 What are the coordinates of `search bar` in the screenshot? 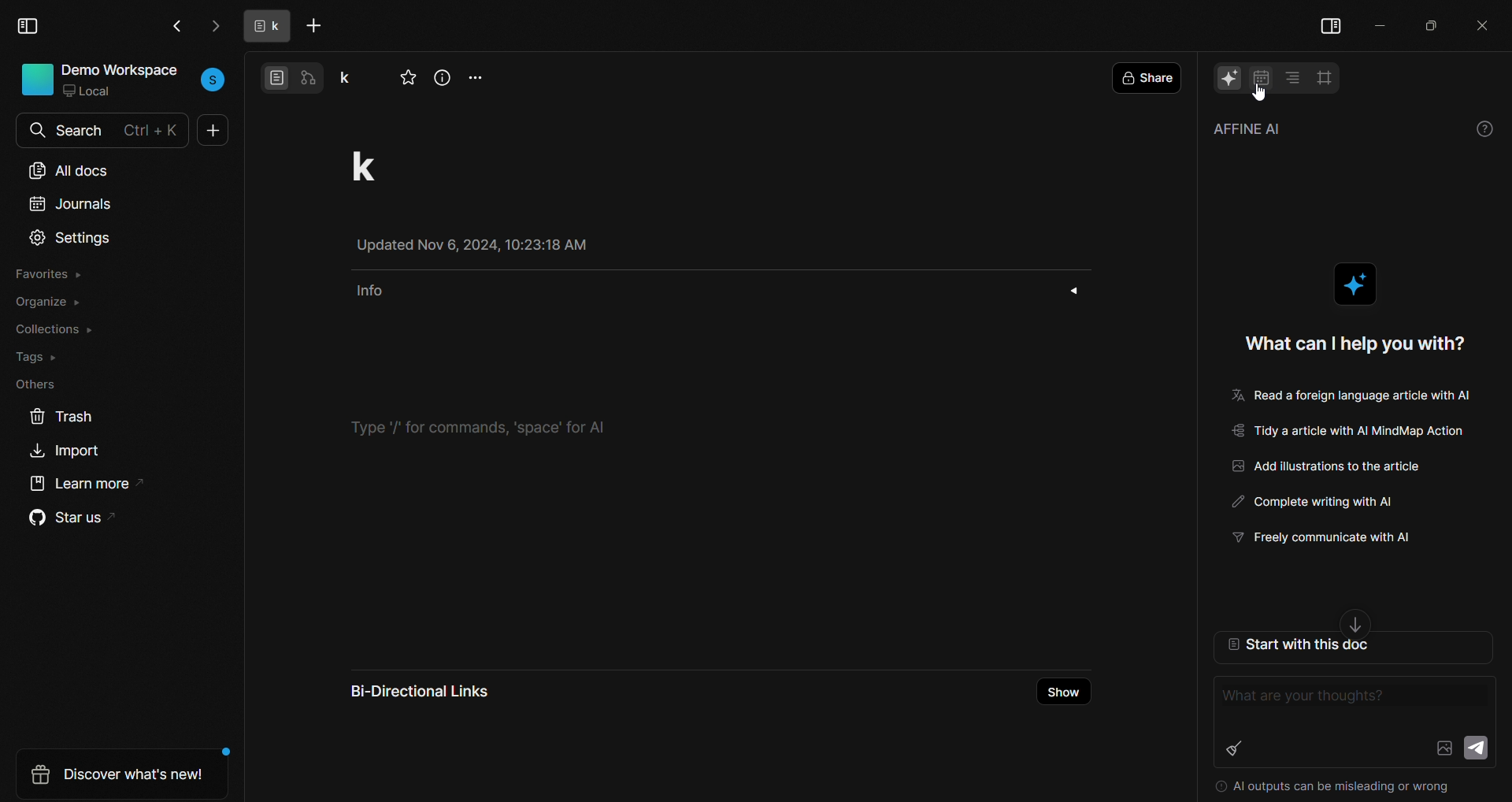 It's located at (115, 127).